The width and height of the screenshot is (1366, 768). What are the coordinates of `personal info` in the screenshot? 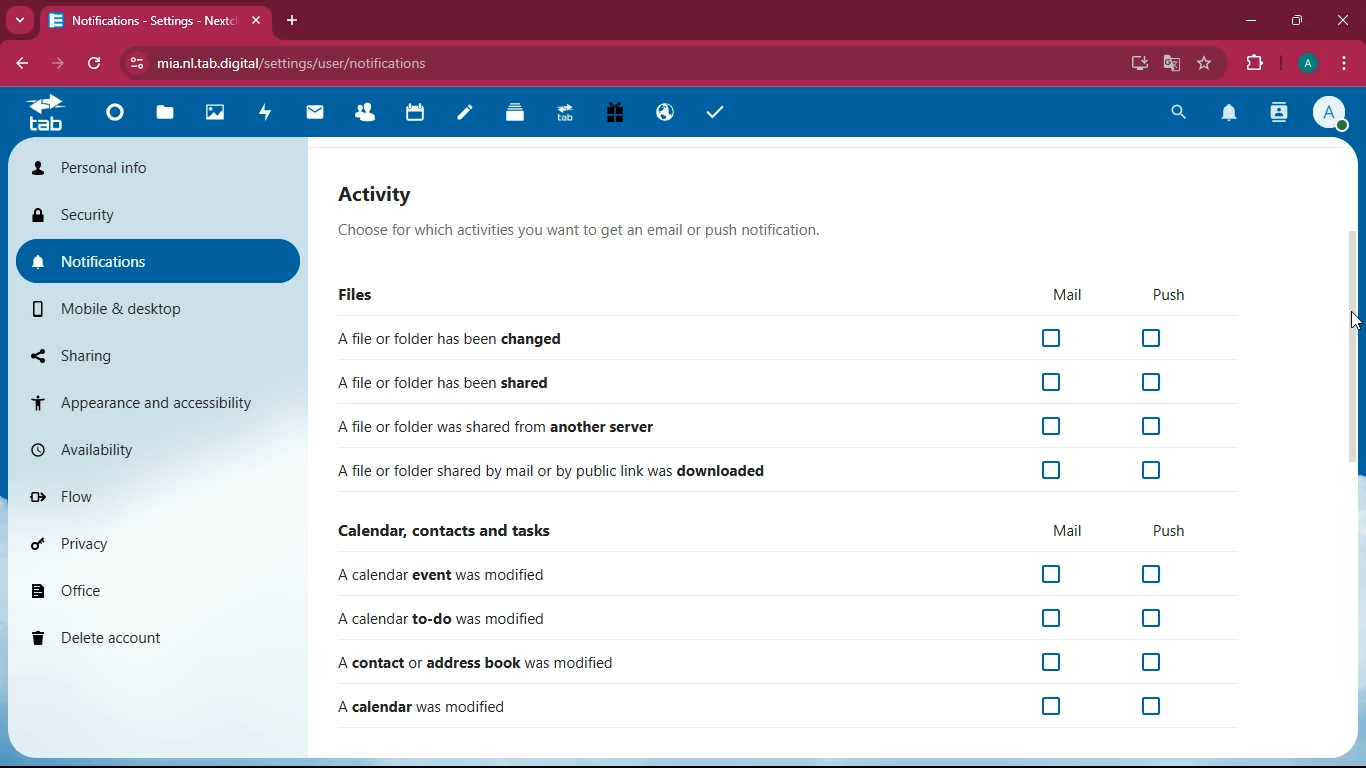 It's located at (160, 167).